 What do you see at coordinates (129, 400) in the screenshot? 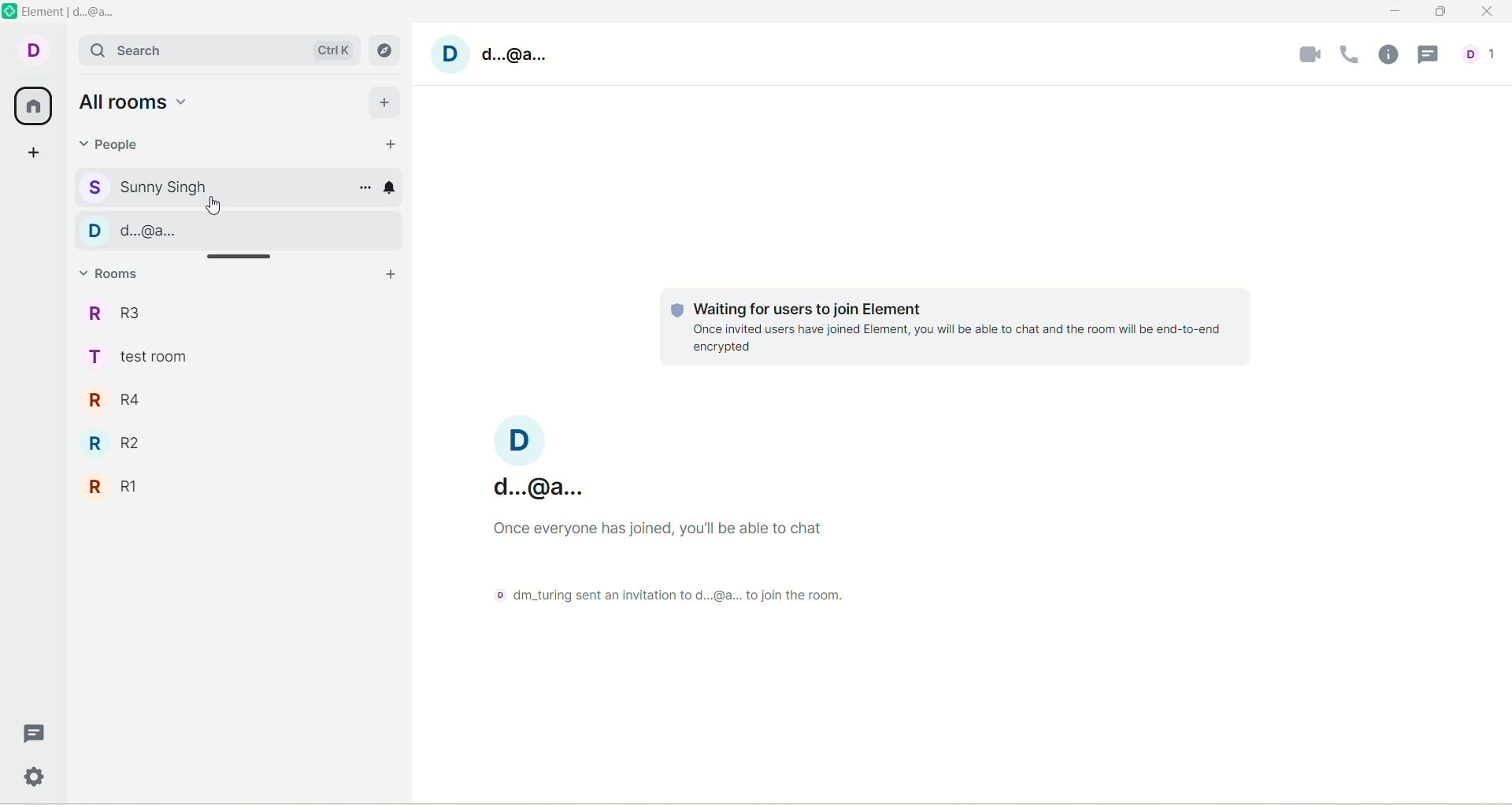
I see `R4` at bounding box center [129, 400].